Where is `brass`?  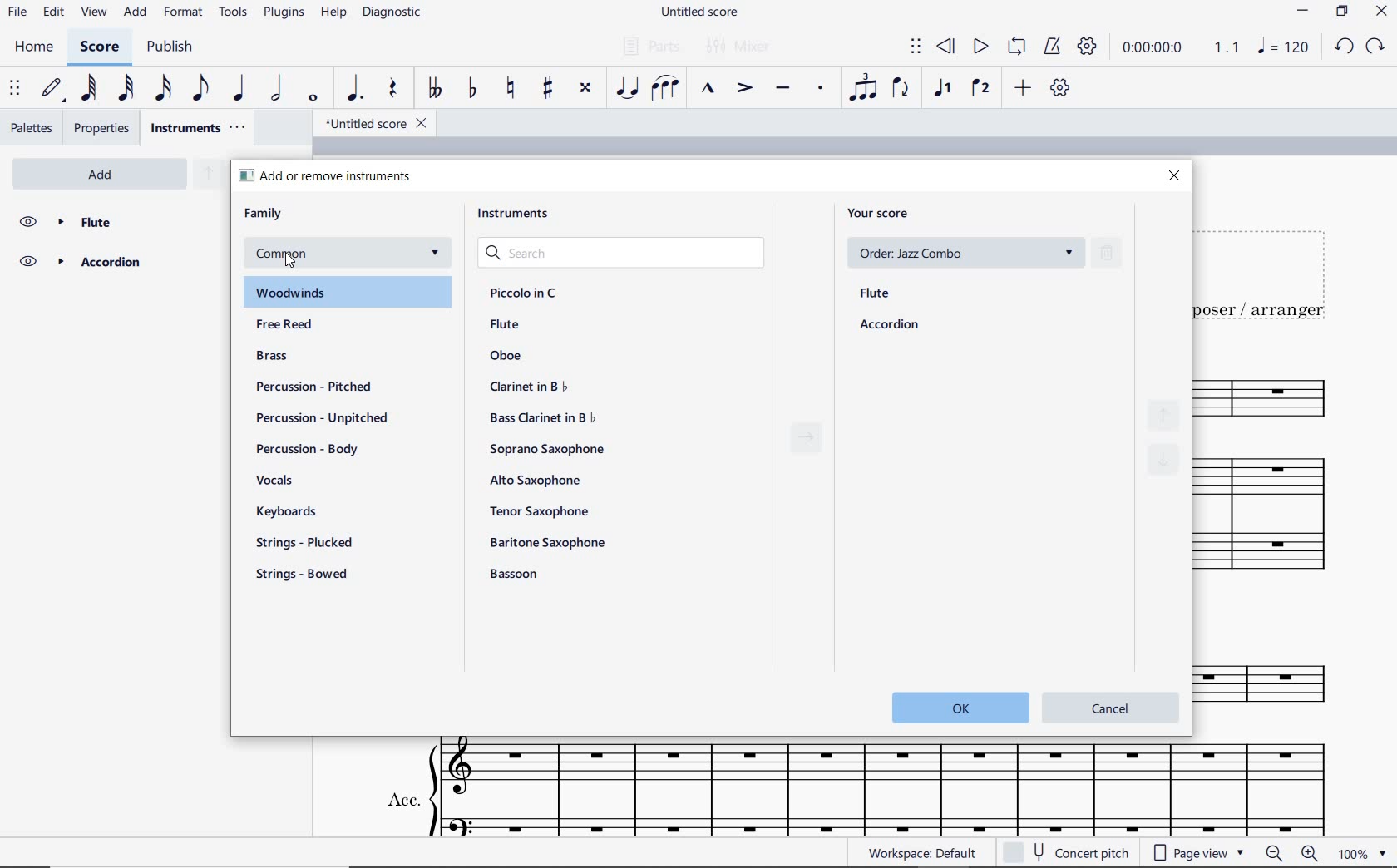 brass is located at coordinates (274, 358).